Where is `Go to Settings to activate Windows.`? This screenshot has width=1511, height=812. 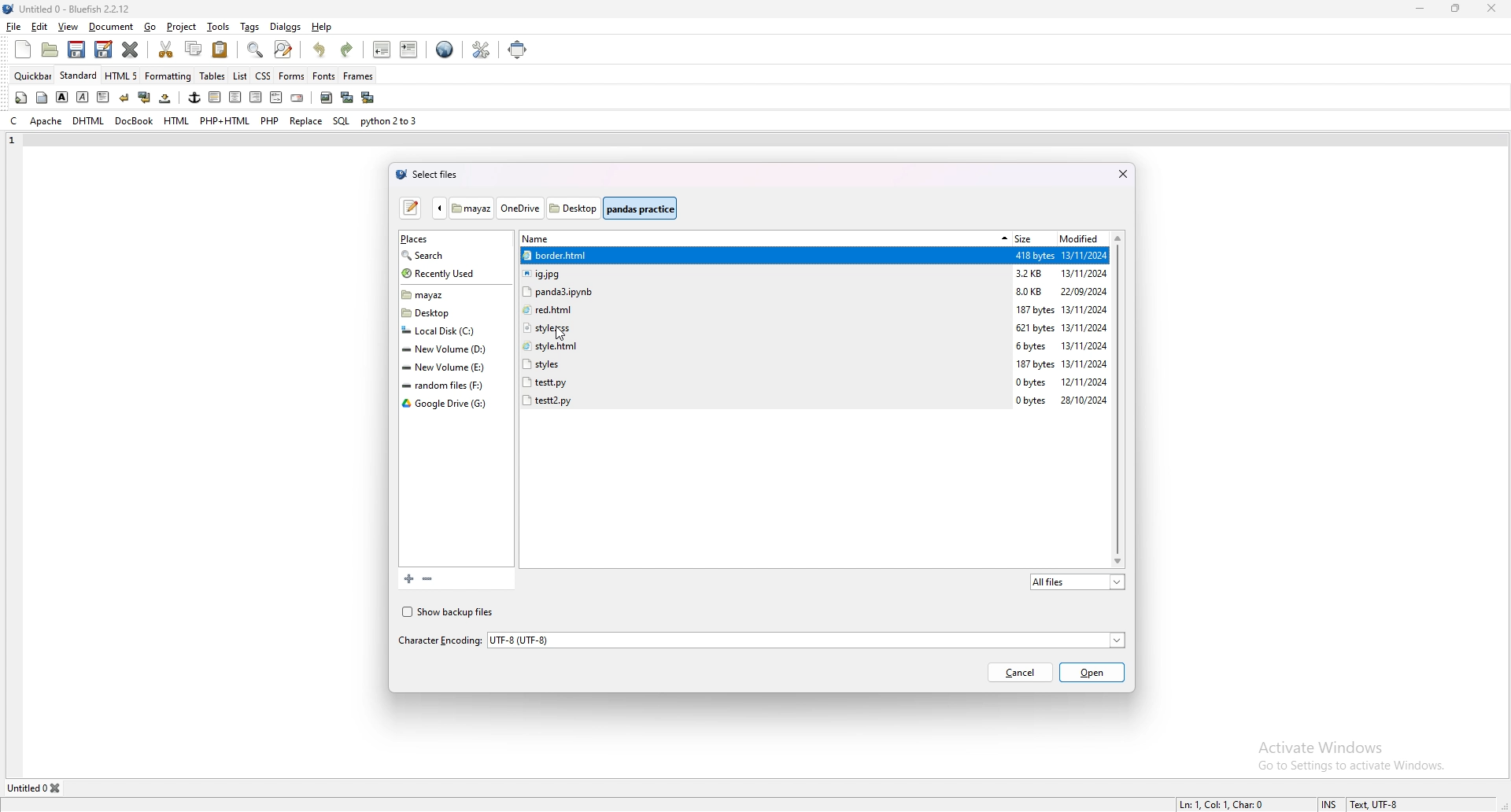
Go to Settings to activate Windows. is located at coordinates (1355, 767).